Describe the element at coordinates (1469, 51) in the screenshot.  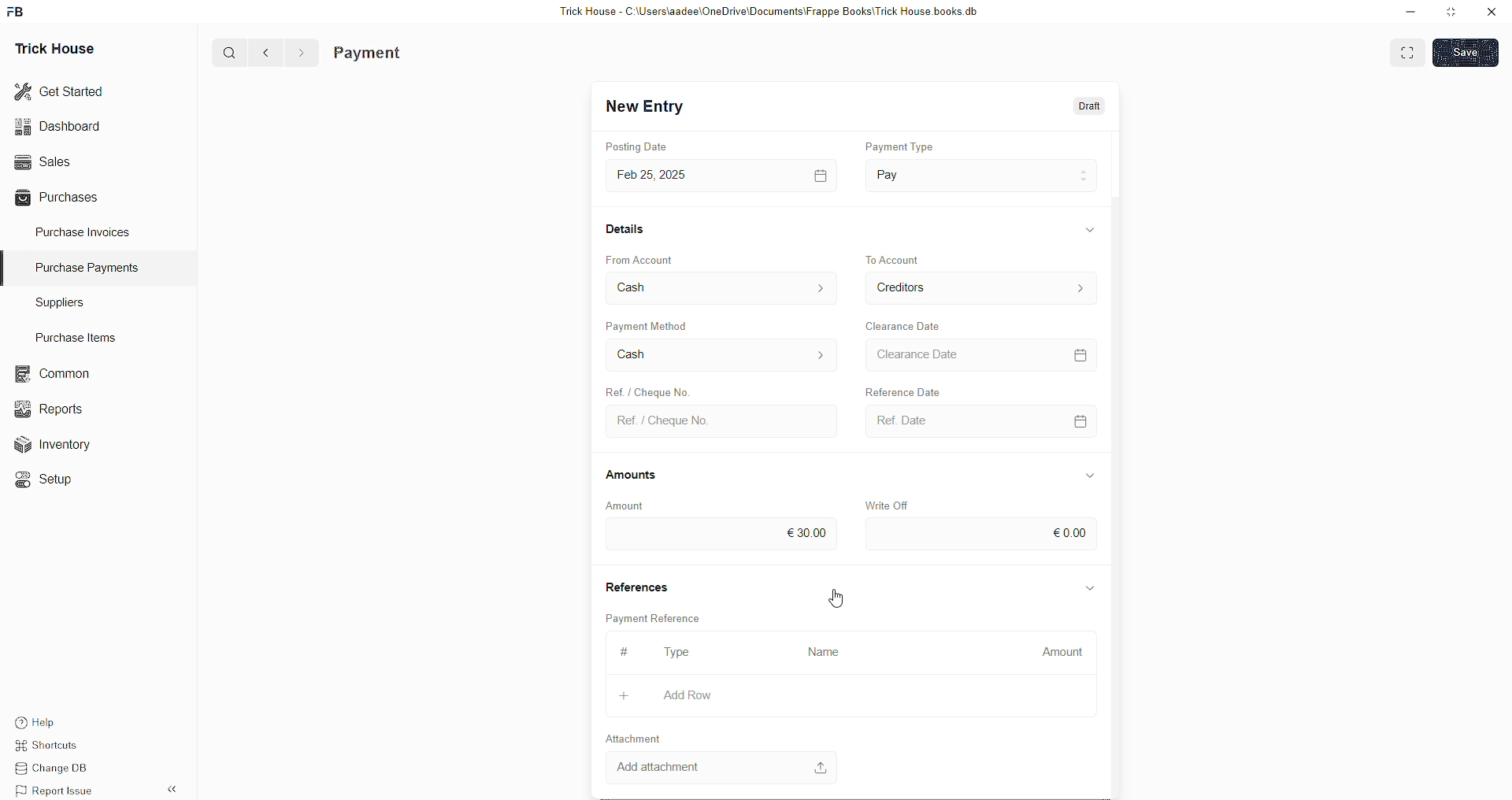
I see `SAVE` at that location.